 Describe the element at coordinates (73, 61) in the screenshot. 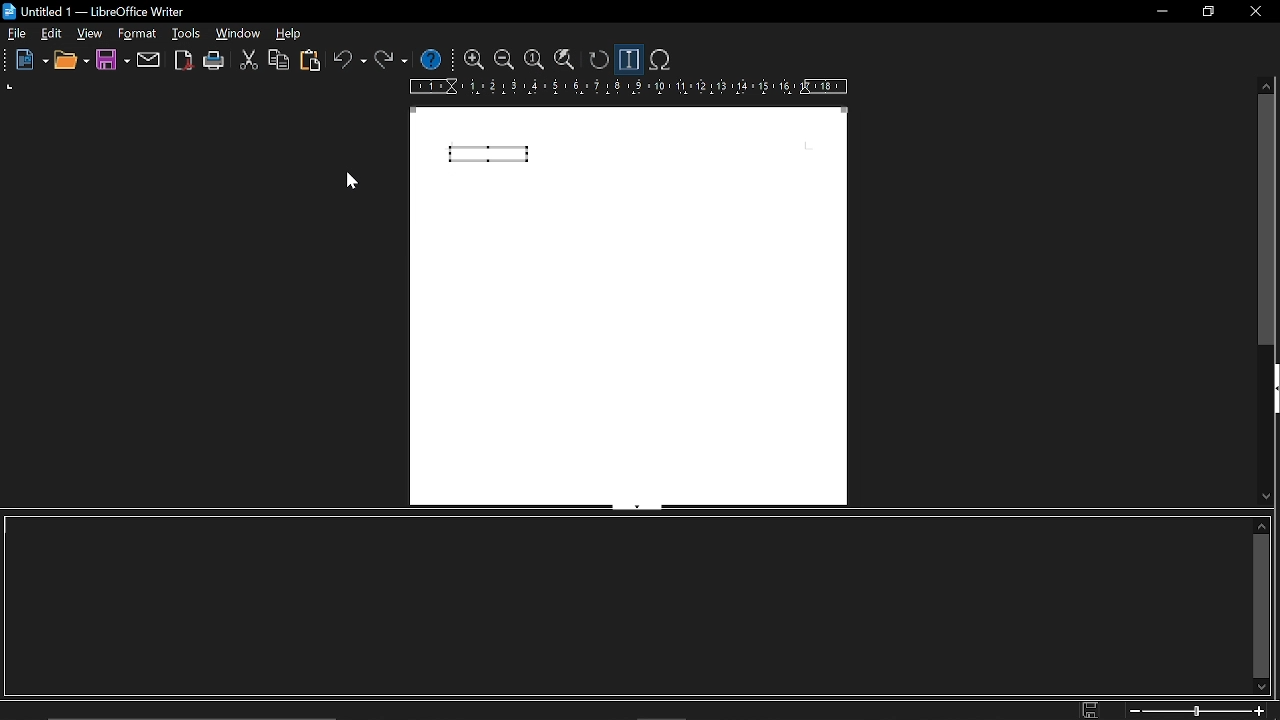

I see `open` at that location.